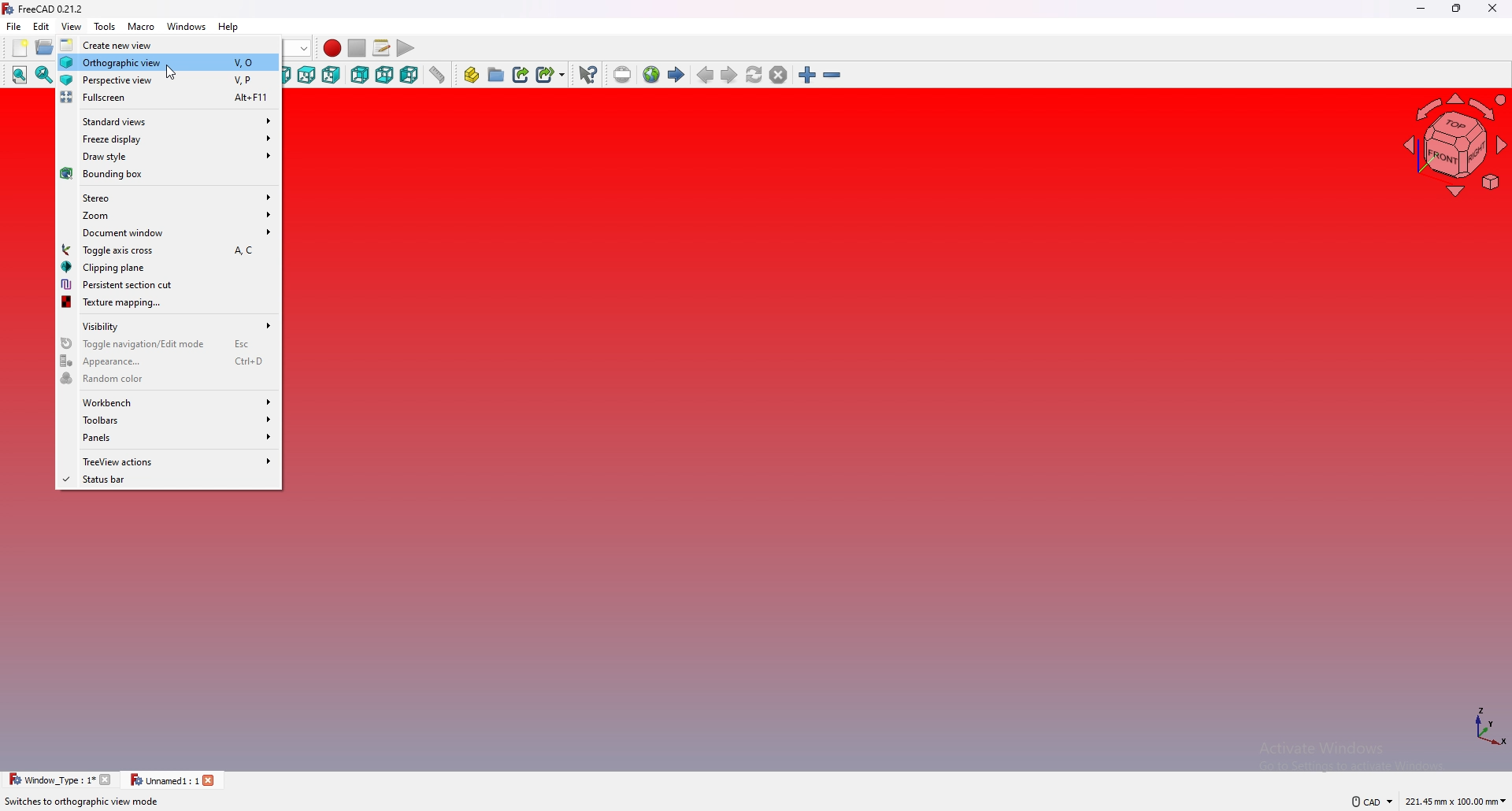  Describe the element at coordinates (497, 74) in the screenshot. I see `create group` at that location.